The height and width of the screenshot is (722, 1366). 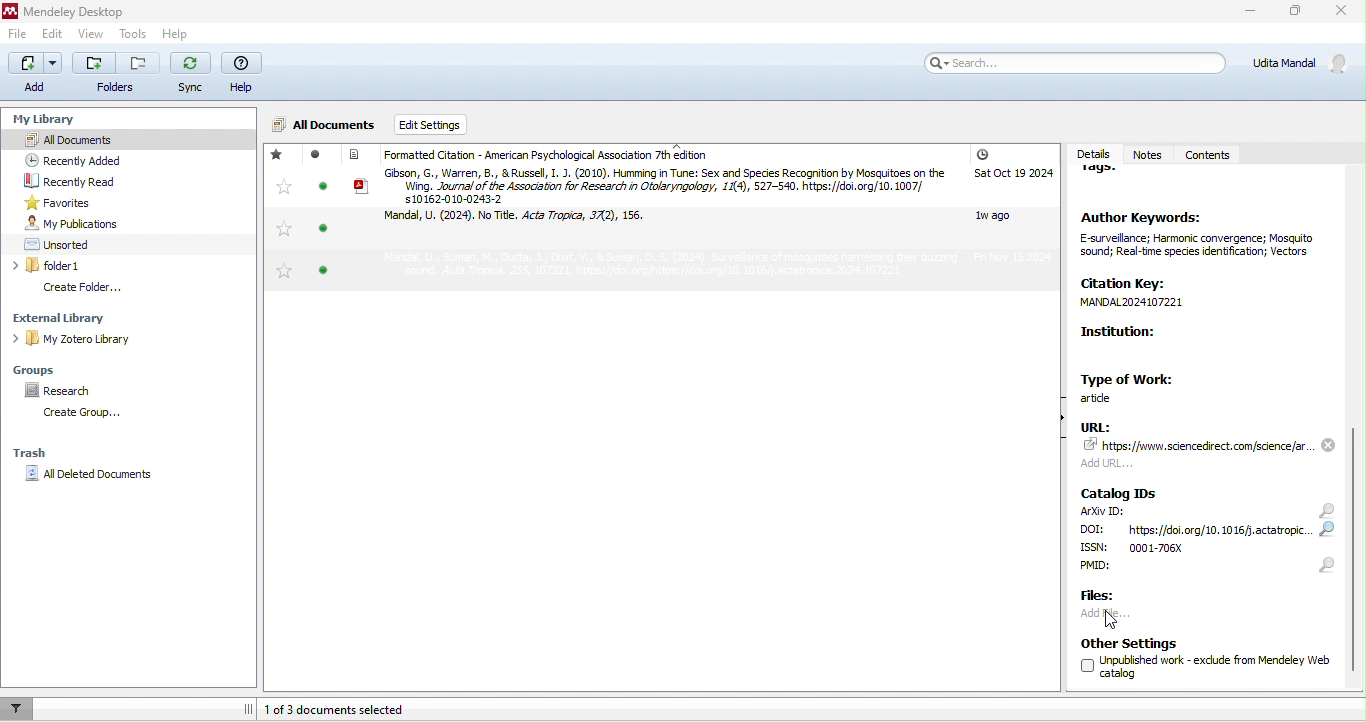 What do you see at coordinates (1343, 14) in the screenshot?
I see `close` at bounding box center [1343, 14].